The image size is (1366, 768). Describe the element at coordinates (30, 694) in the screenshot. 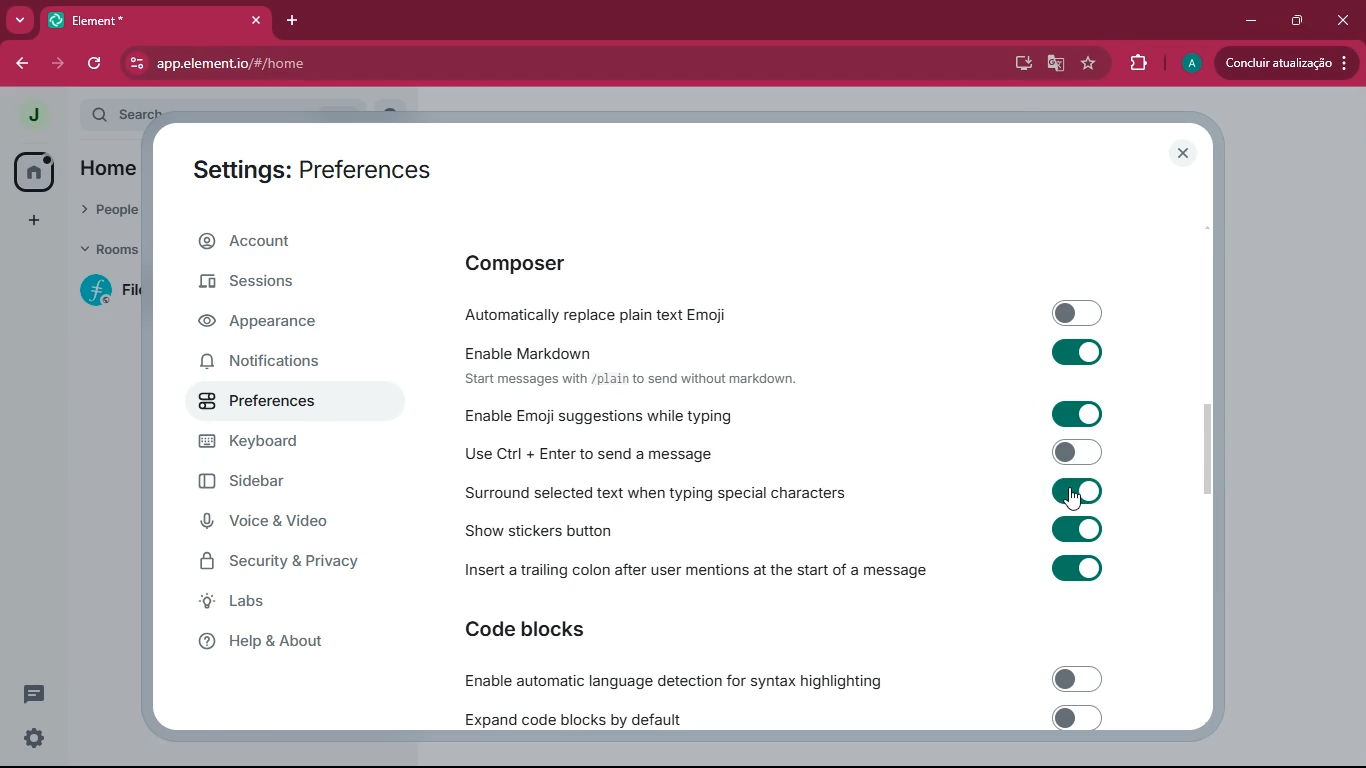

I see `conversation` at that location.